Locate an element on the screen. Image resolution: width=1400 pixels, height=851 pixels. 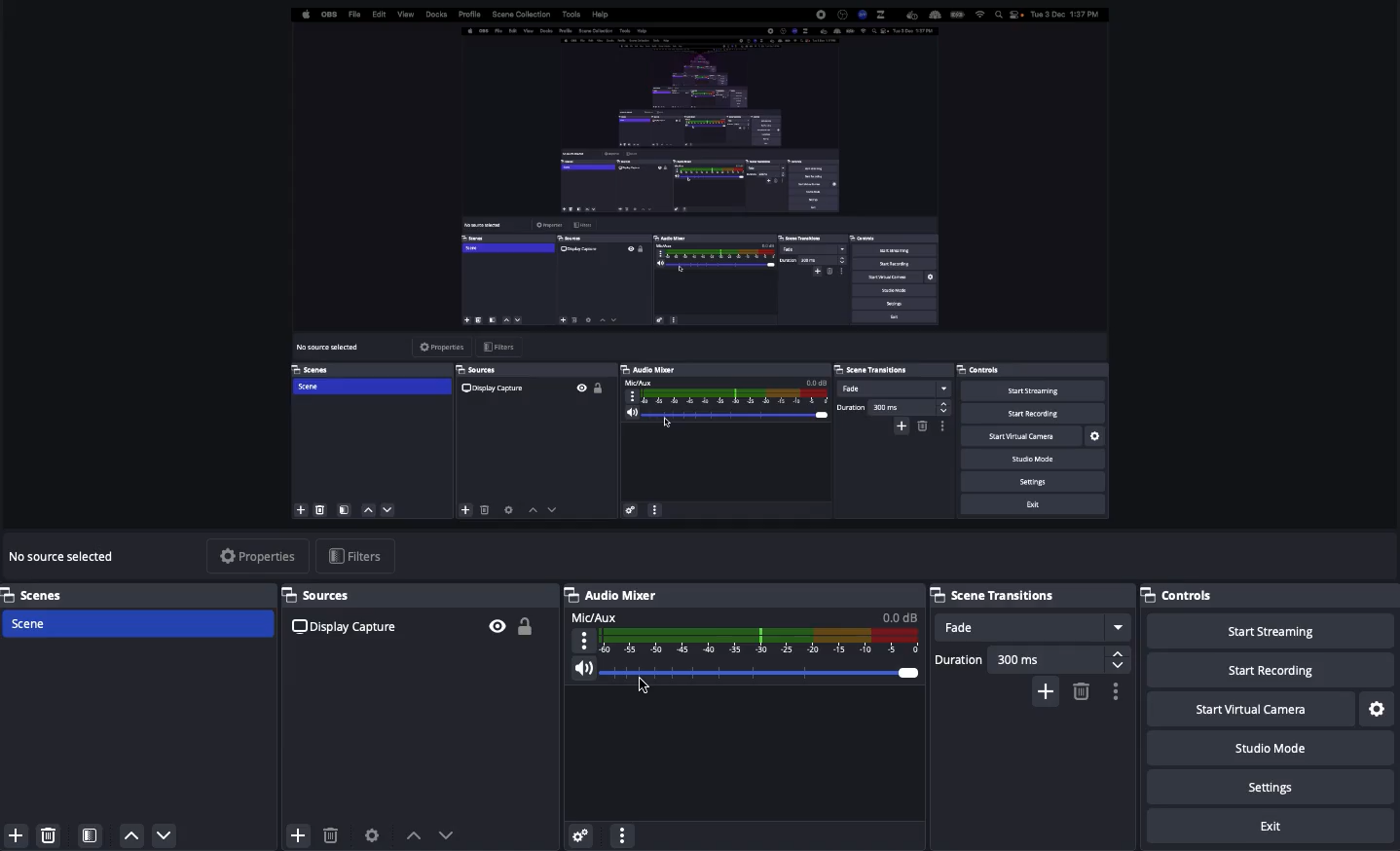
Add is located at coordinates (13, 835).